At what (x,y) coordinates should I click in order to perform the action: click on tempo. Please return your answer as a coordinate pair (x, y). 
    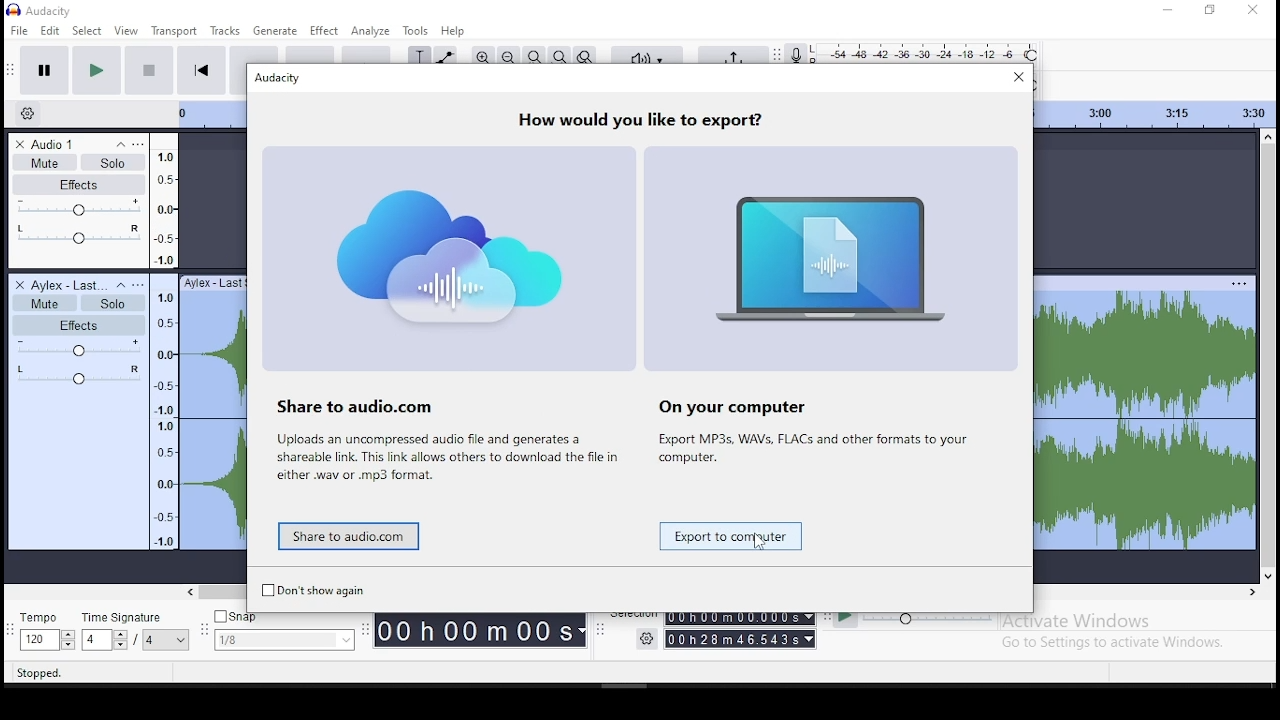
    Looking at the image, I should click on (45, 632).